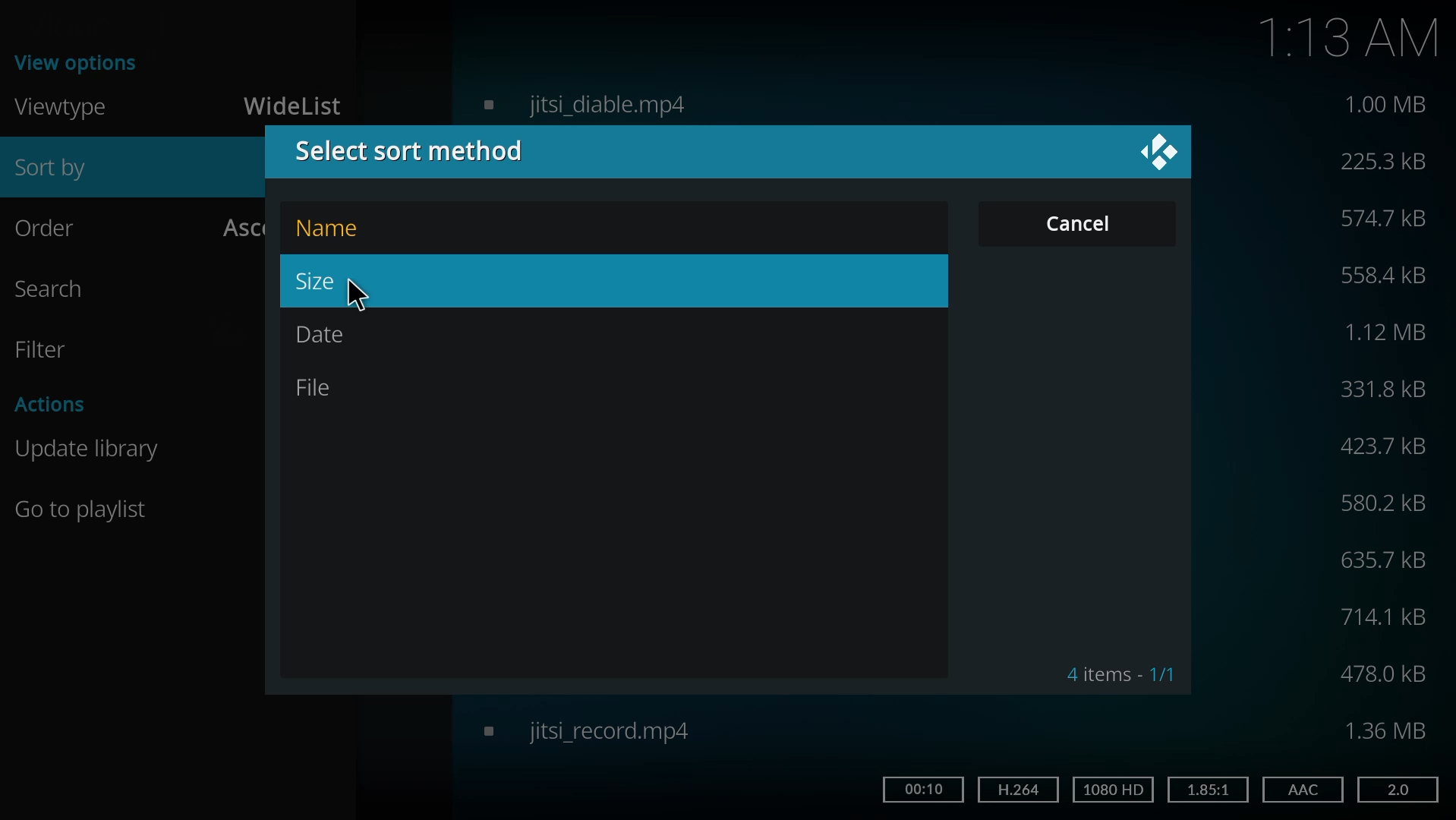 The width and height of the screenshot is (1456, 820). What do you see at coordinates (1388, 729) in the screenshot?
I see `size` at bounding box center [1388, 729].